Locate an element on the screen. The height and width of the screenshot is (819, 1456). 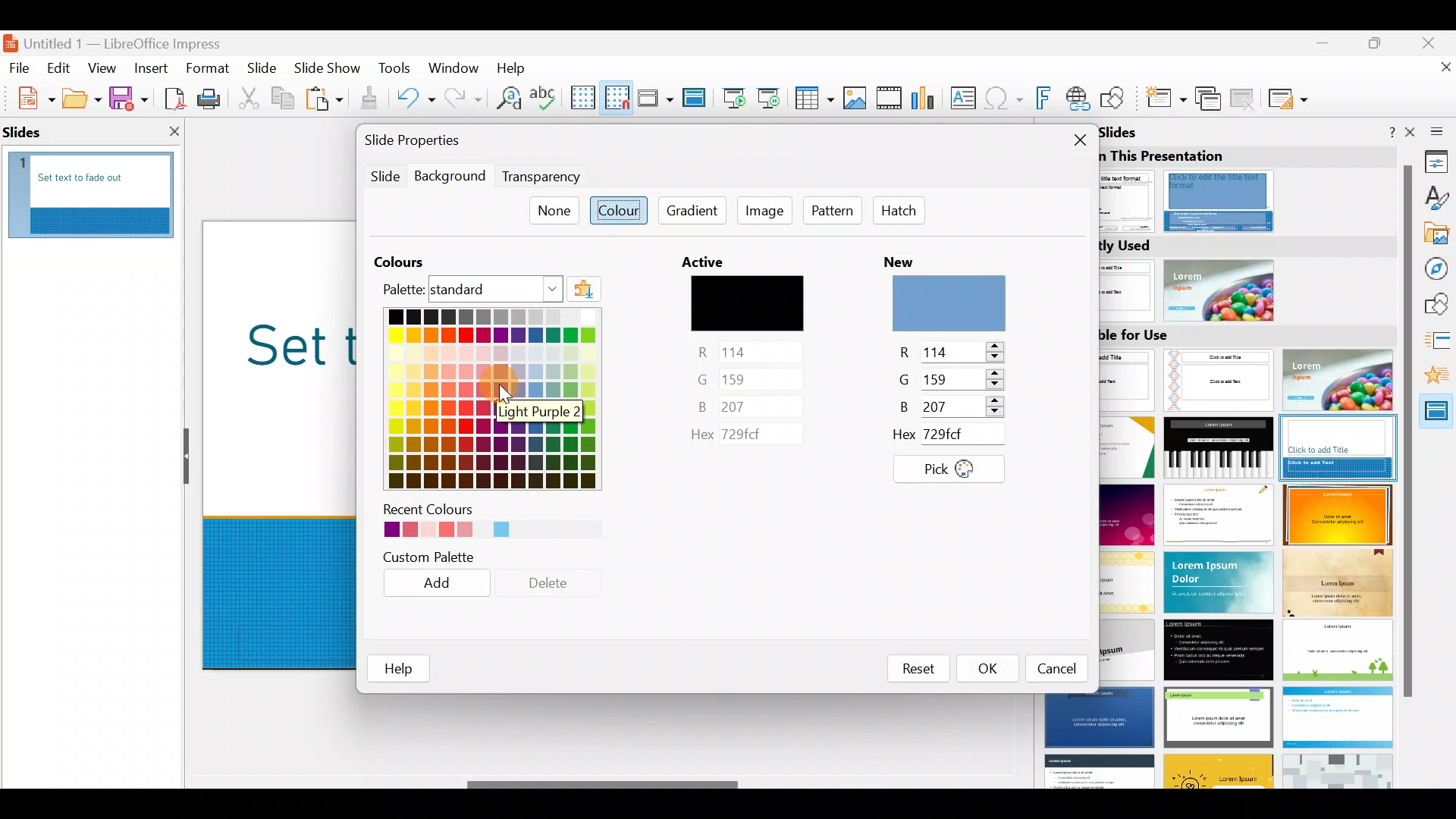
Colour is located at coordinates (618, 212).